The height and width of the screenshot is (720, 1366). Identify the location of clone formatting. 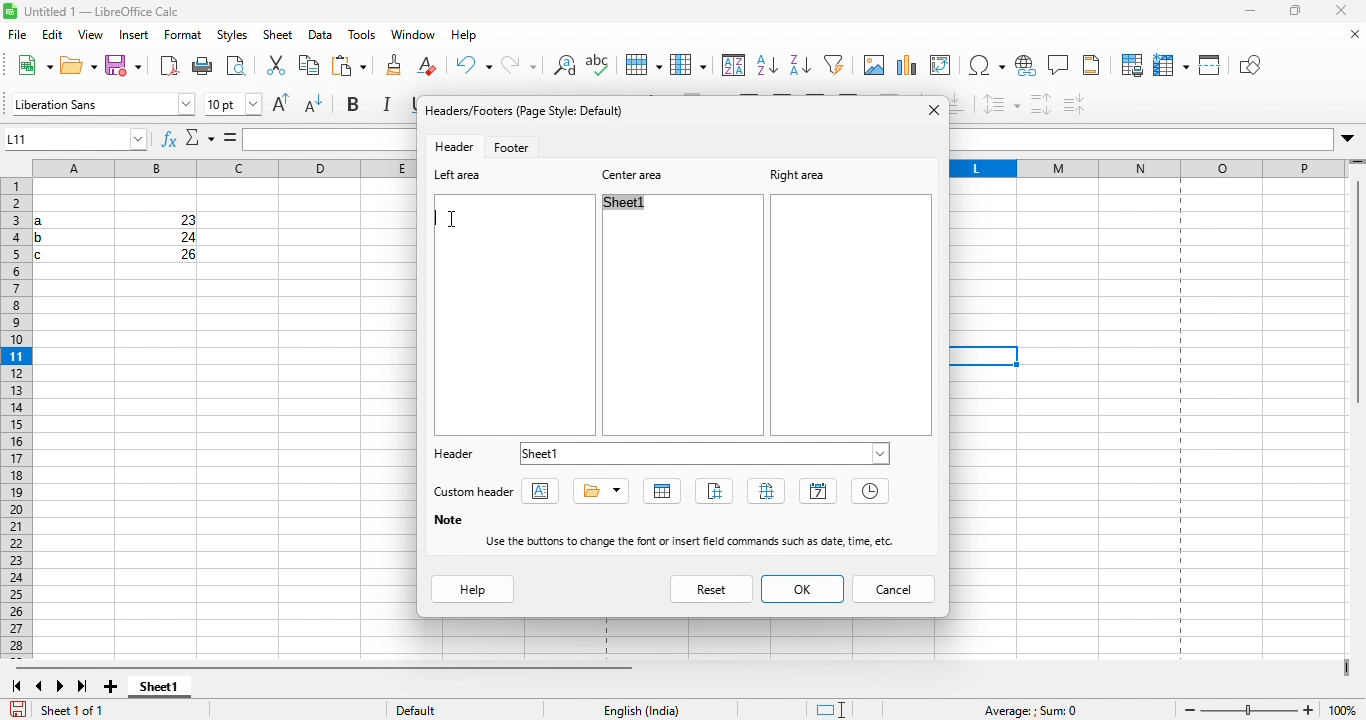
(351, 67).